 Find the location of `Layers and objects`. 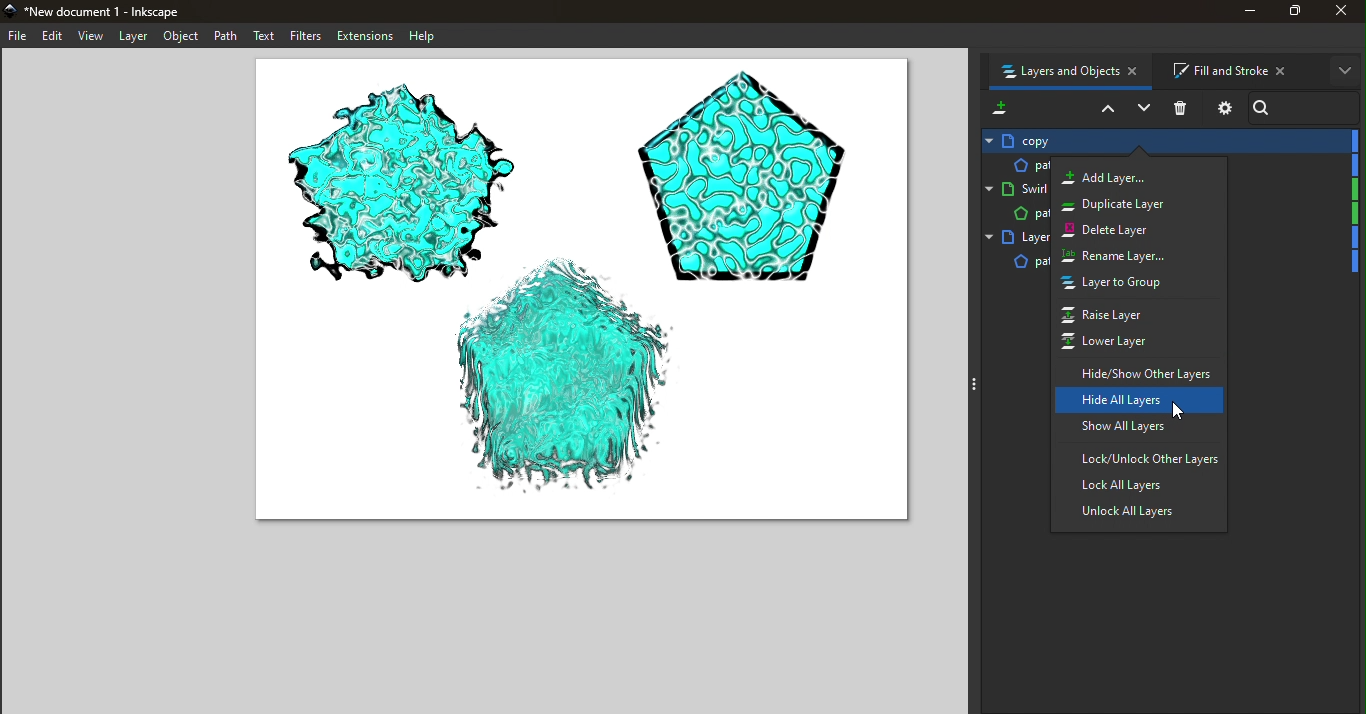

Layers and objects is located at coordinates (1068, 70).